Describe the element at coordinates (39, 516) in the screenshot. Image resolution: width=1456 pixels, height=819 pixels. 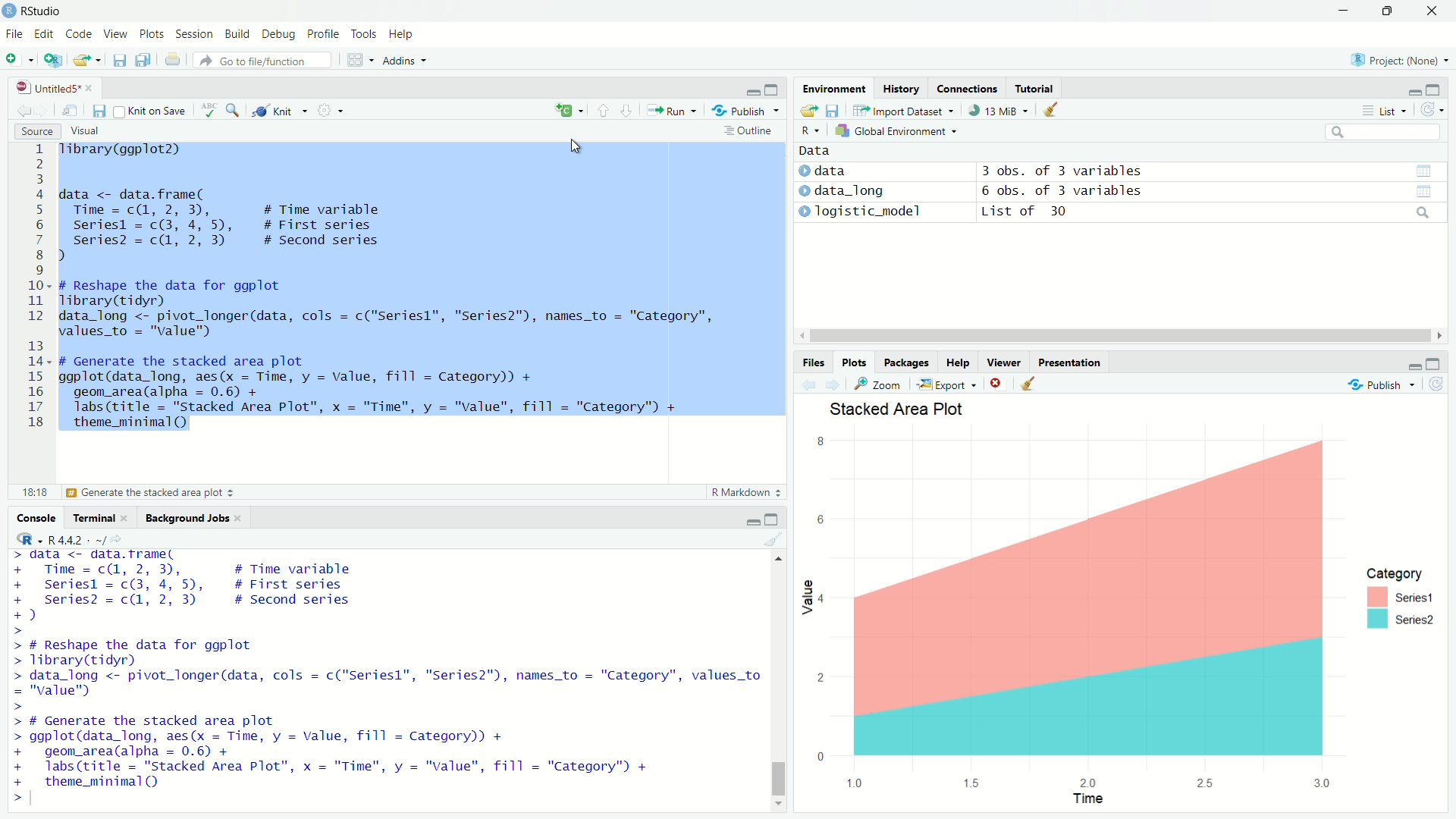
I see `Console` at that location.